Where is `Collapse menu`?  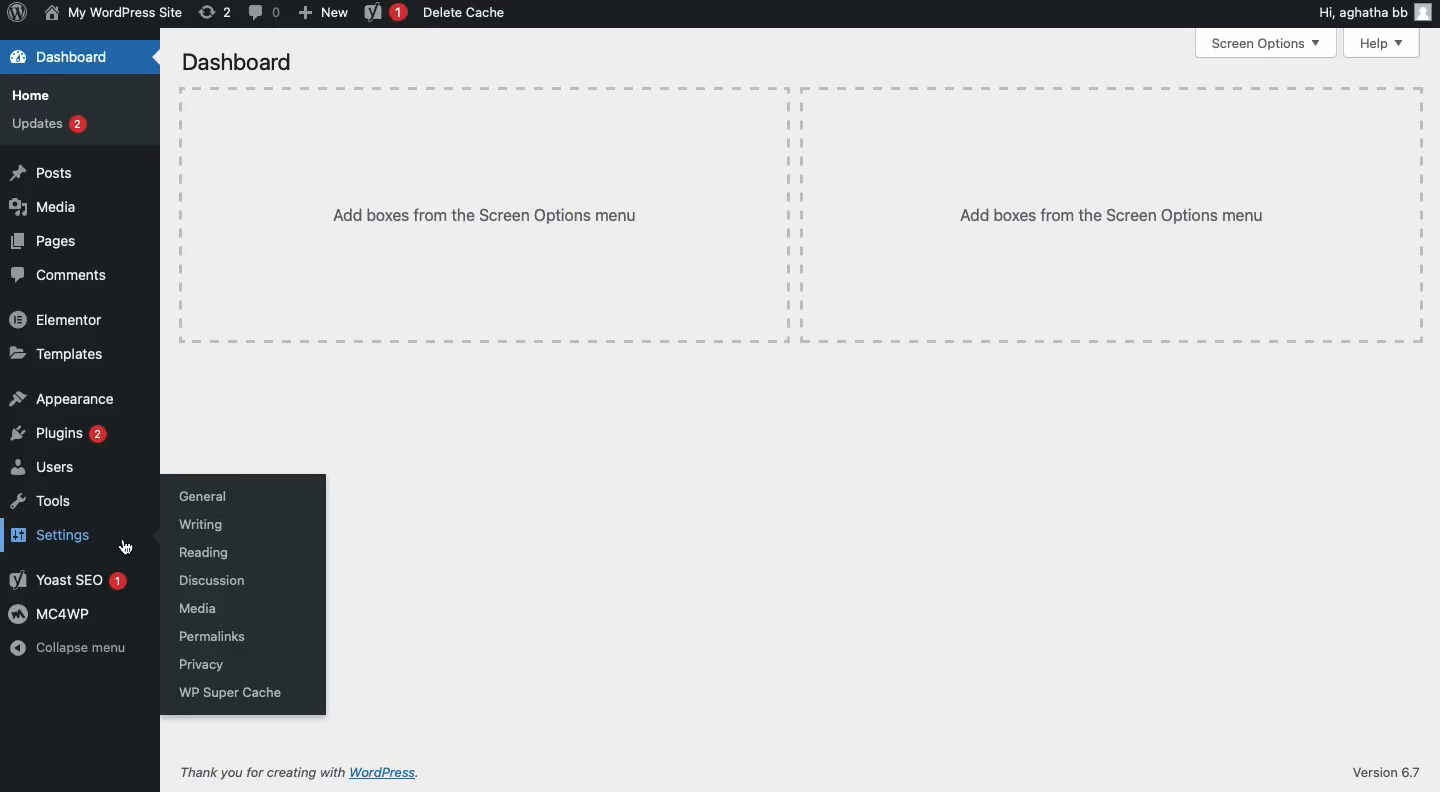
Collapse menu is located at coordinates (70, 647).